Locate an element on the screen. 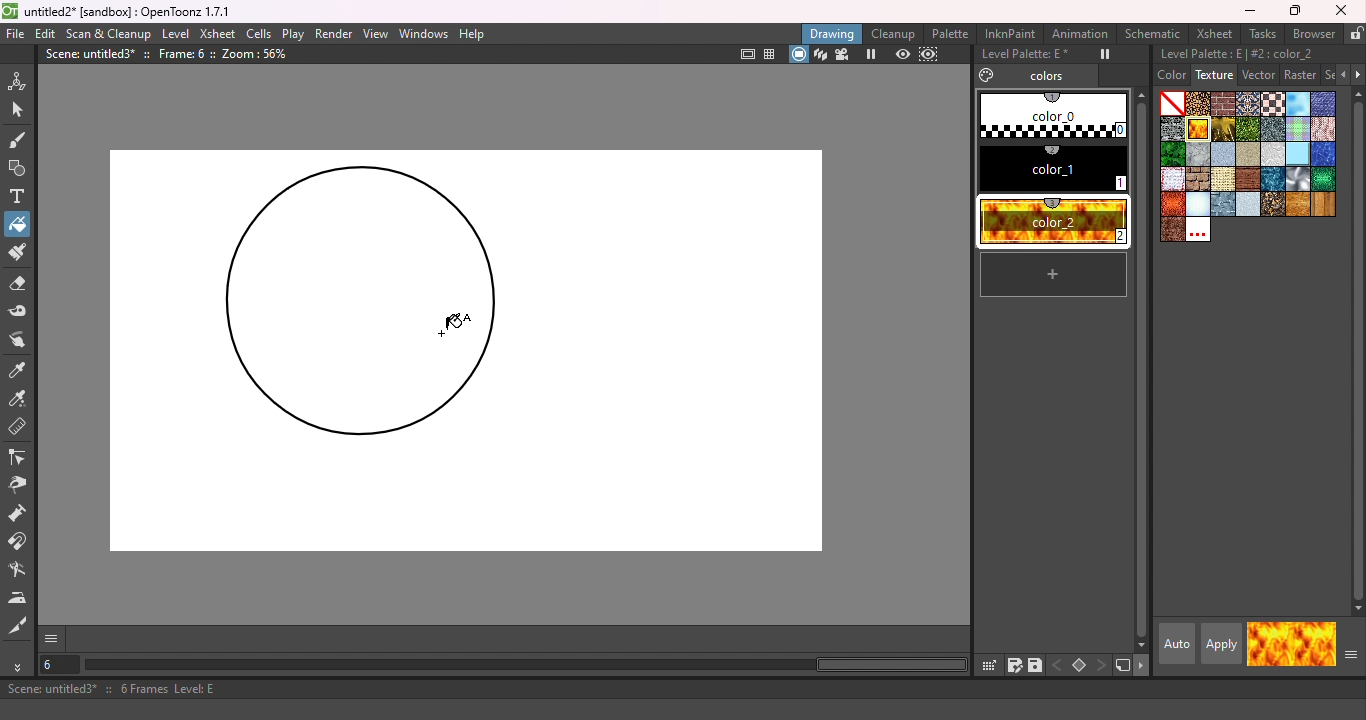  wetpebbles.bmp is located at coordinates (1274, 204).